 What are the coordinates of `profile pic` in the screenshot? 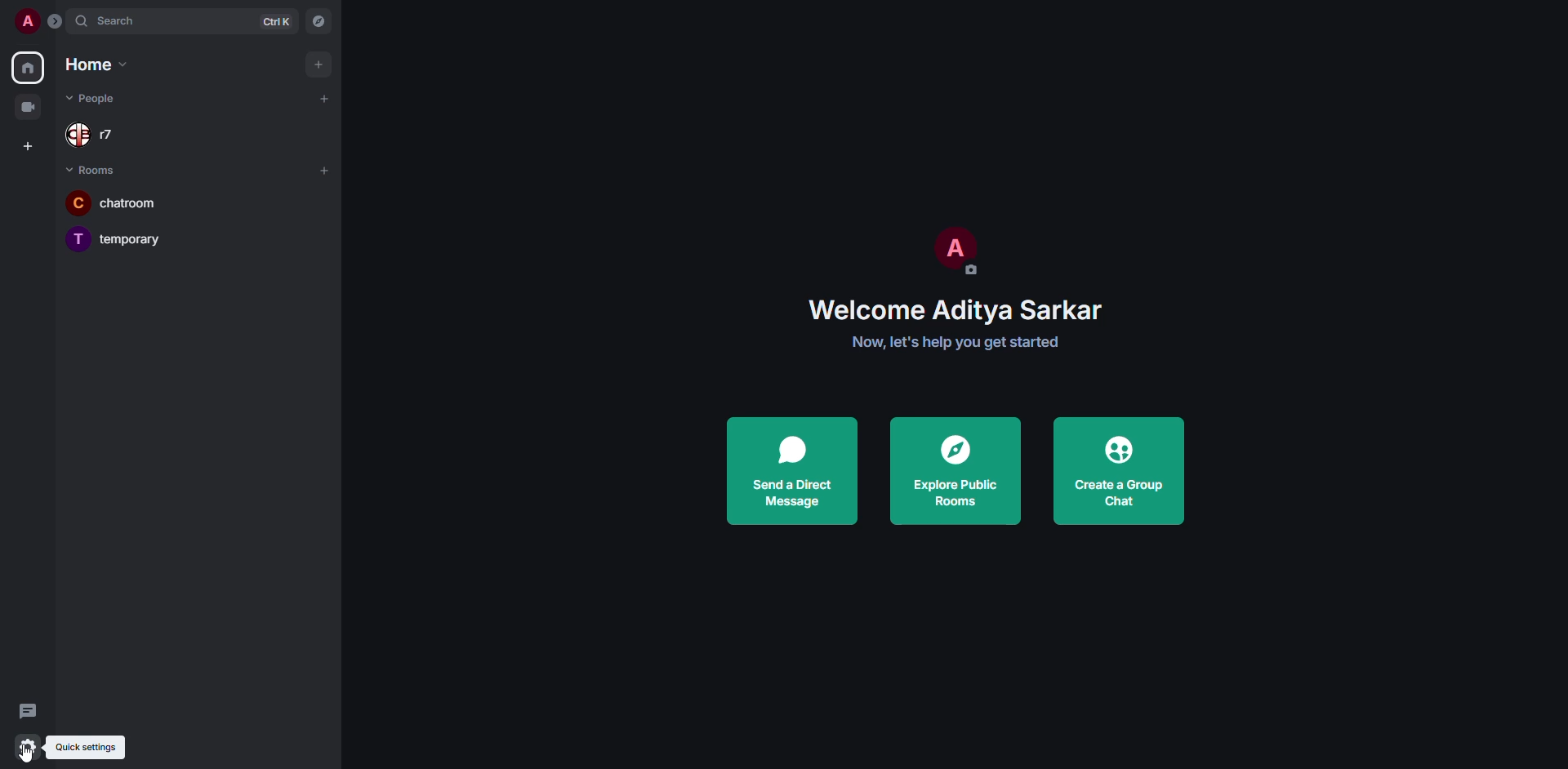 It's located at (953, 250).